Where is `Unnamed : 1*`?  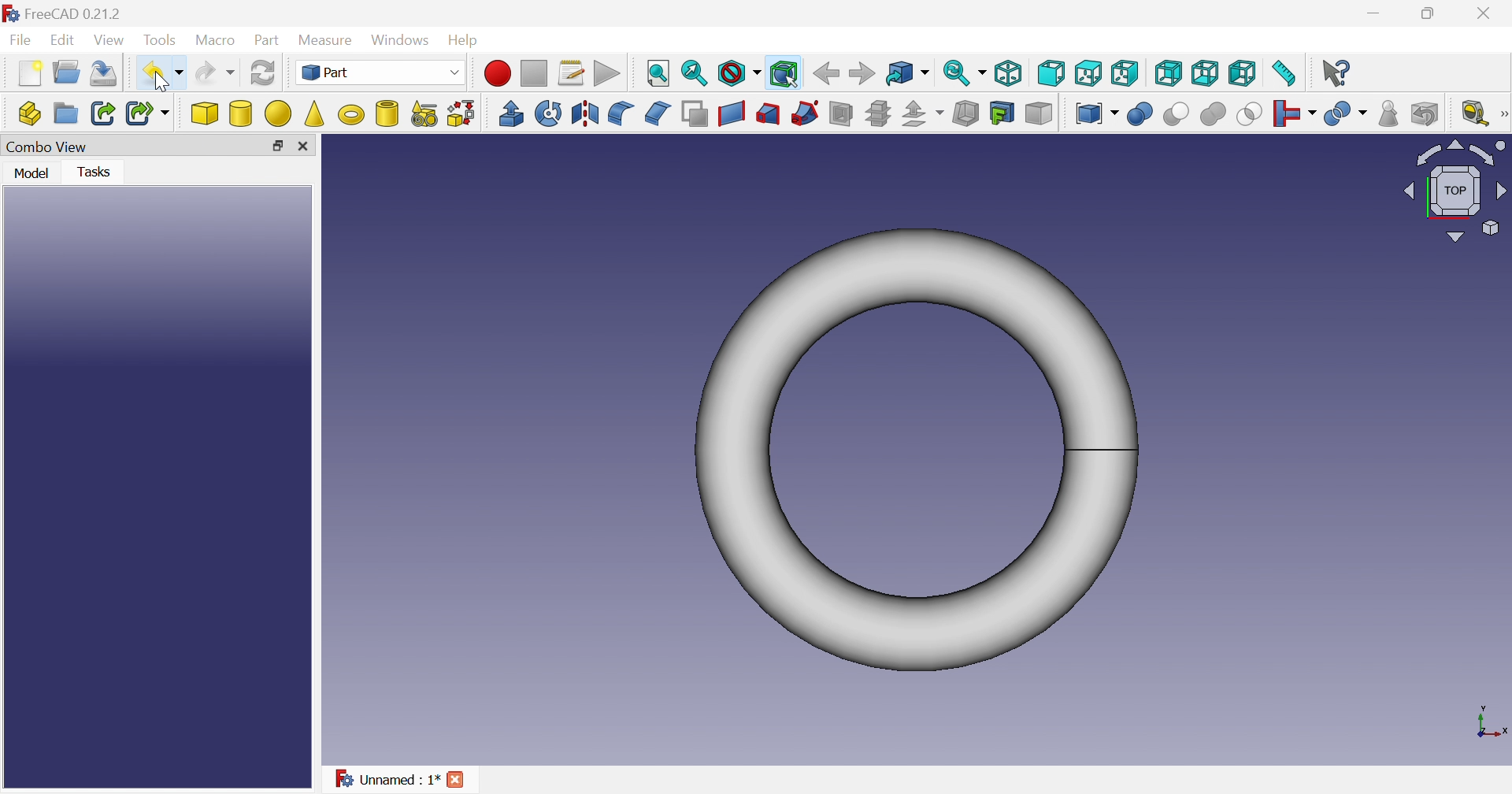
Unnamed : 1* is located at coordinates (383, 777).